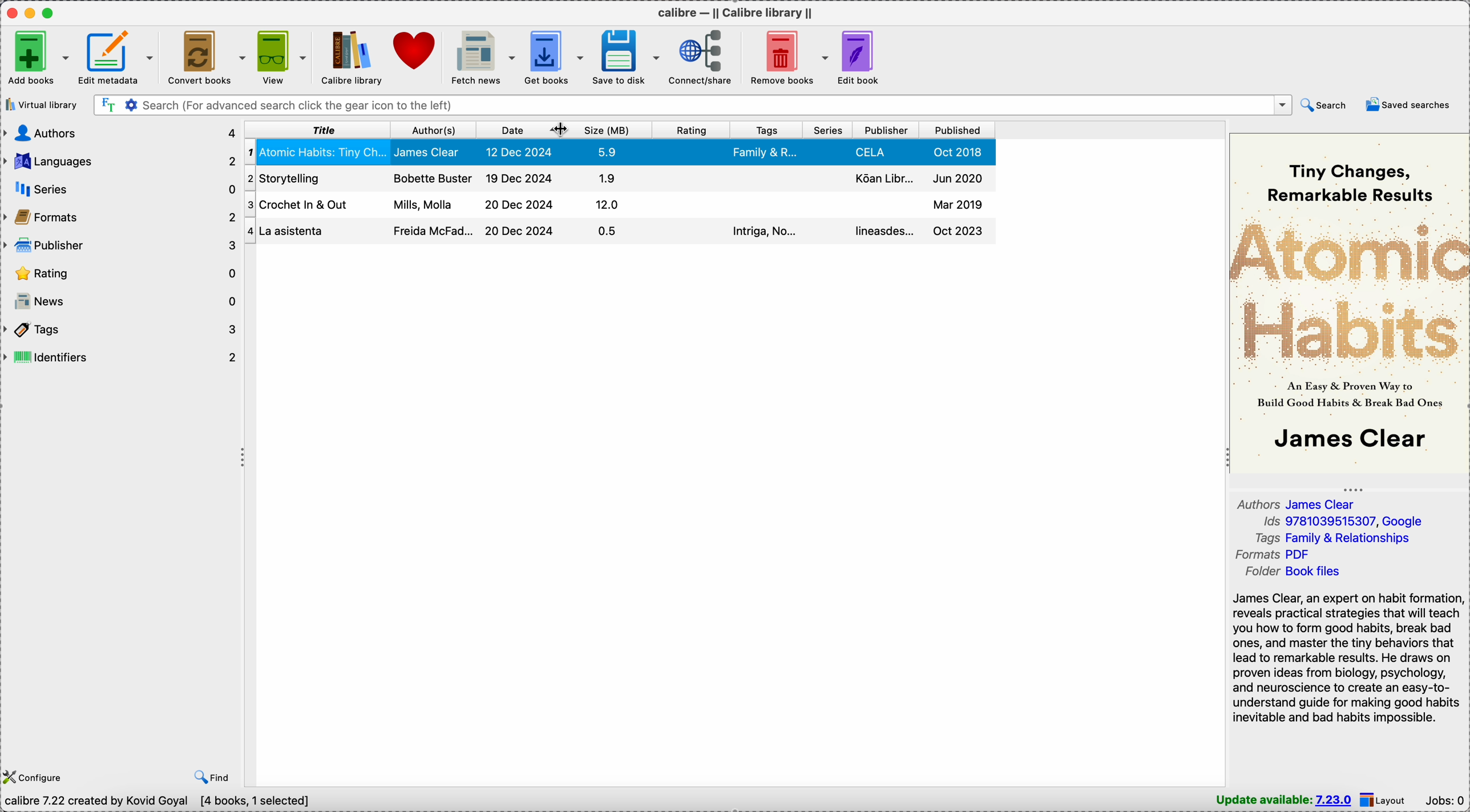  What do you see at coordinates (122, 359) in the screenshot?
I see `identifiers` at bounding box center [122, 359].